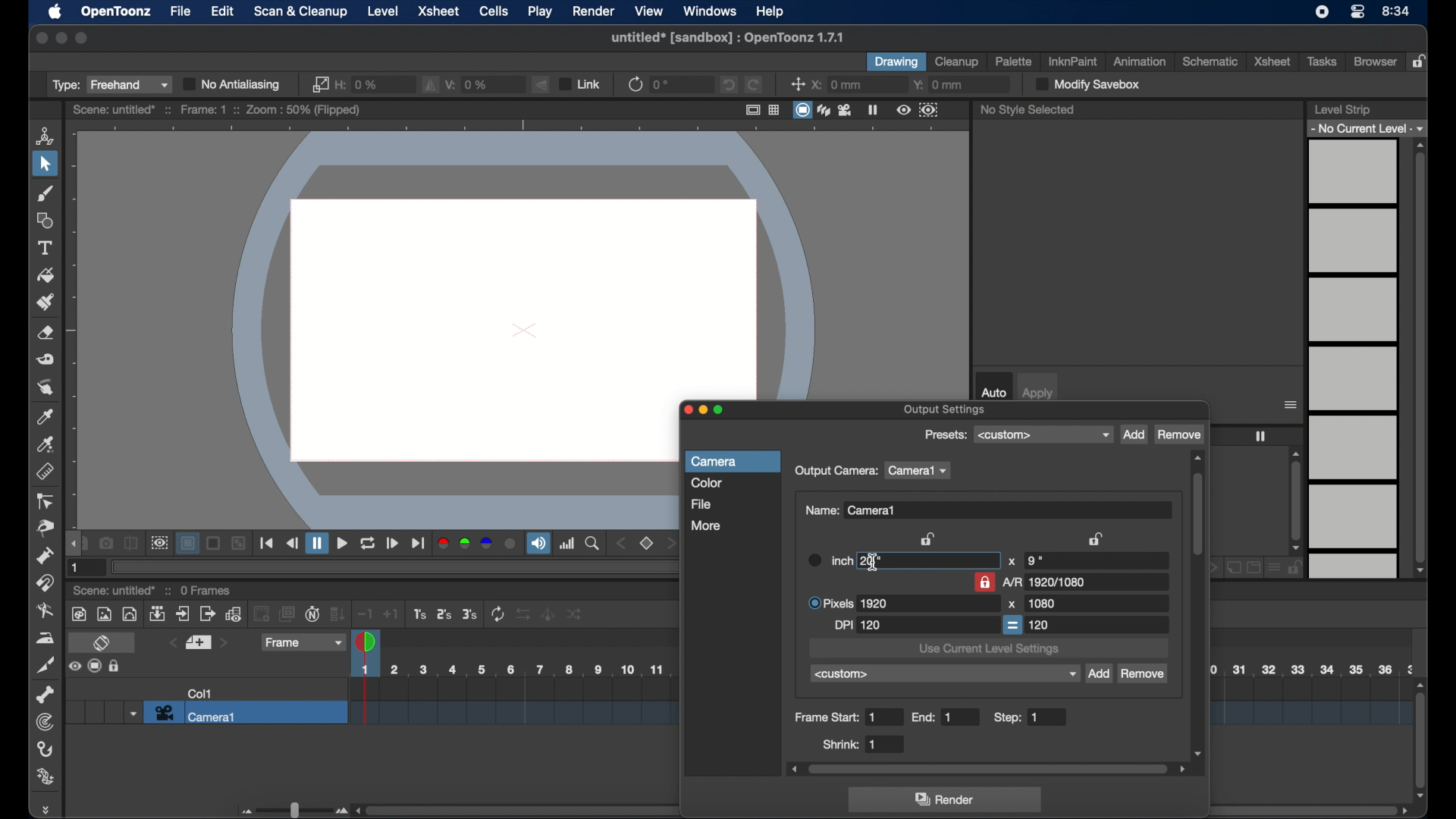 The height and width of the screenshot is (819, 1456). I want to click on , so click(116, 667).